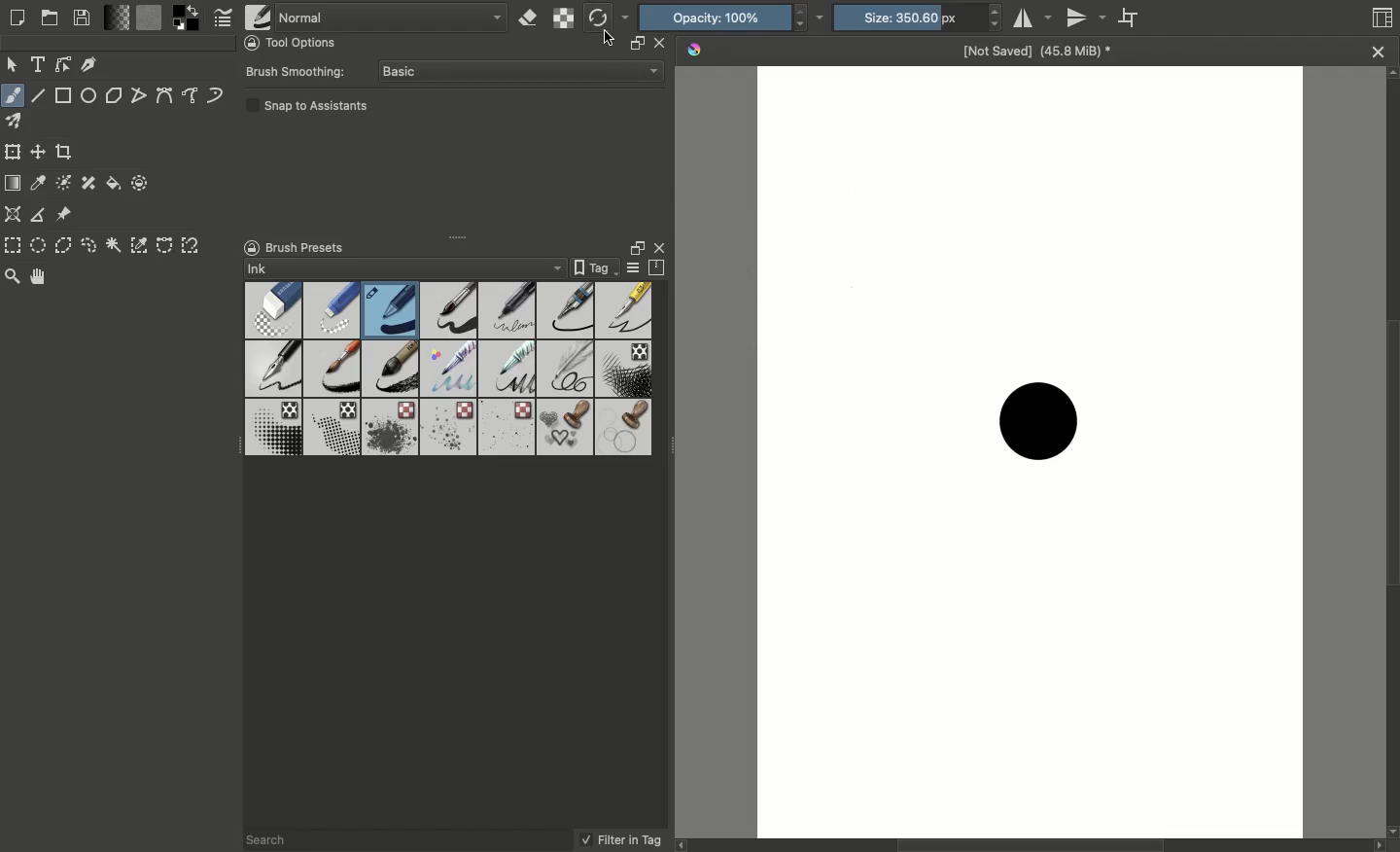 The height and width of the screenshot is (852, 1400). Describe the element at coordinates (1132, 17) in the screenshot. I see `Wrap around mode` at that location.